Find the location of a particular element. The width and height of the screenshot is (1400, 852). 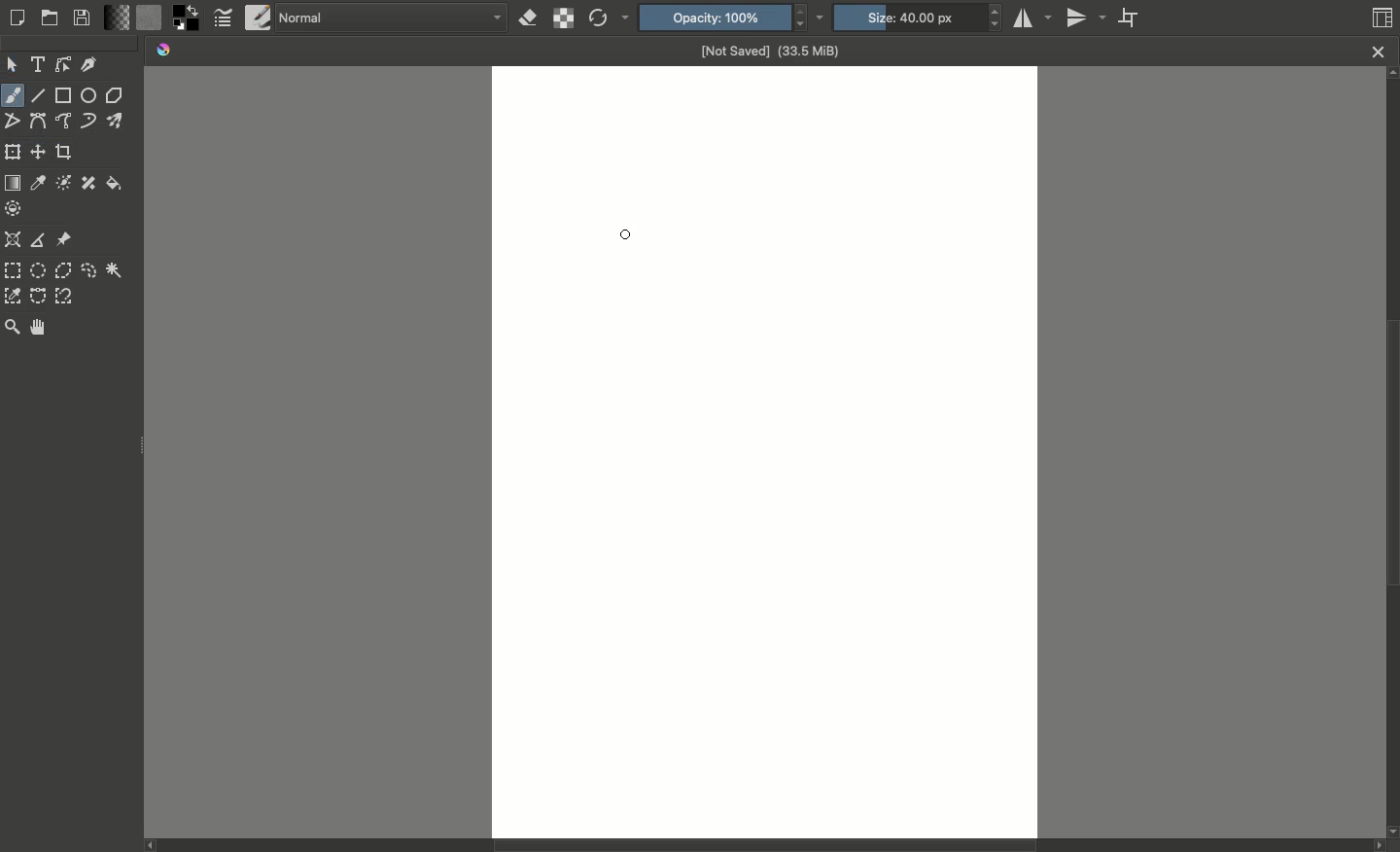

Fill gradients is located at coordinates (120, 18).